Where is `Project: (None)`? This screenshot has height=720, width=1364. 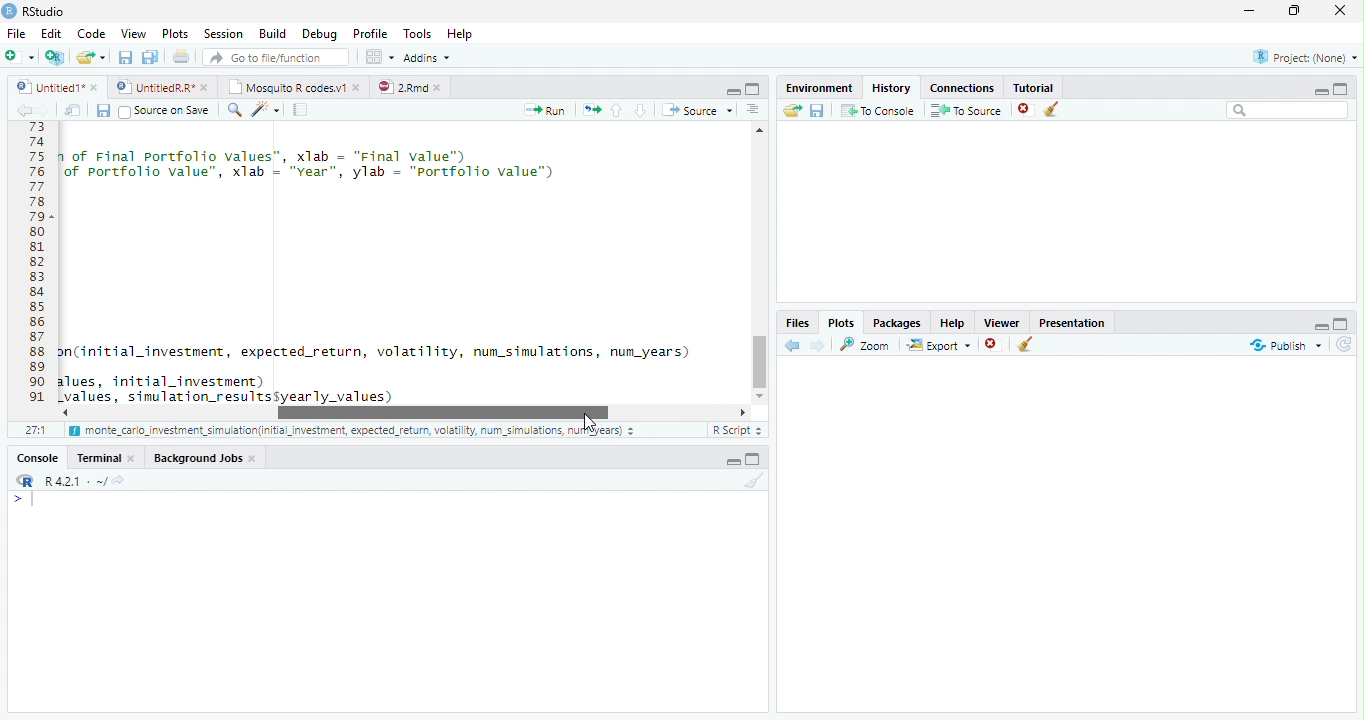 Project: (None) is located at coordinates (1301, 58).